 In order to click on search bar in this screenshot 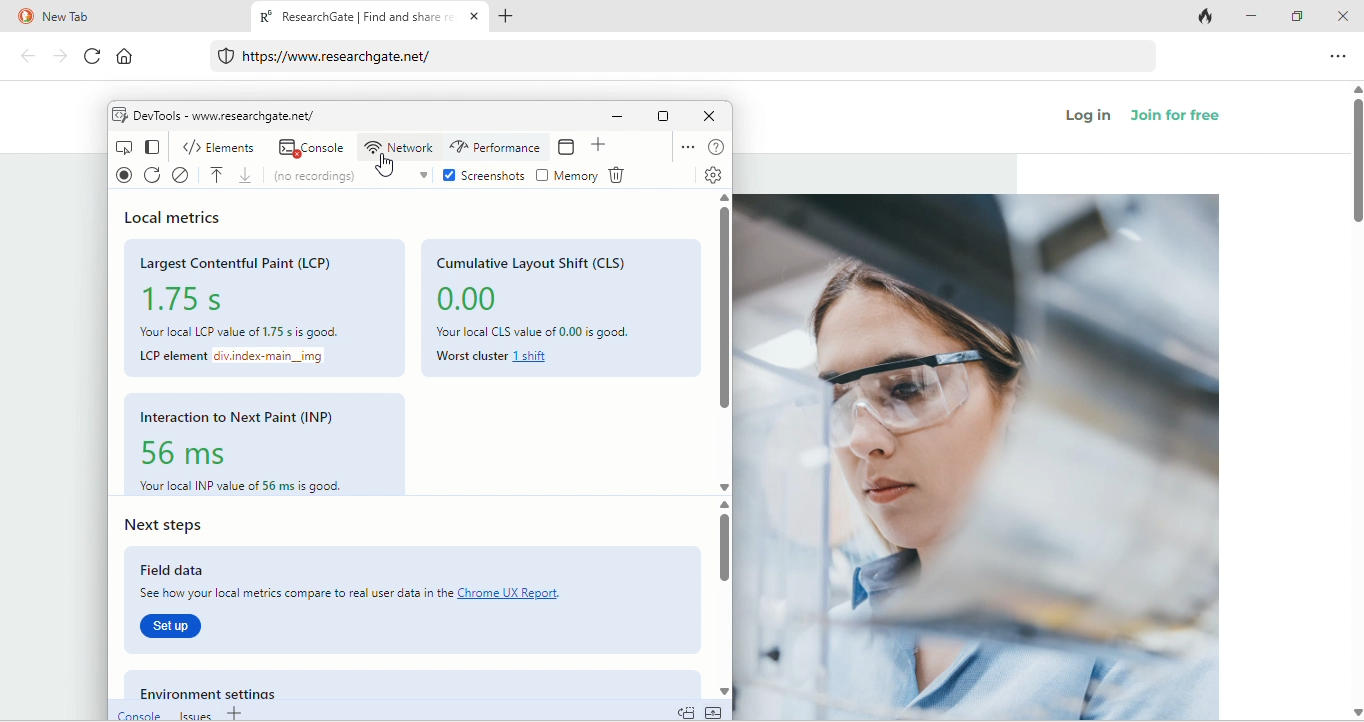, I will do `click(685, 58)`.